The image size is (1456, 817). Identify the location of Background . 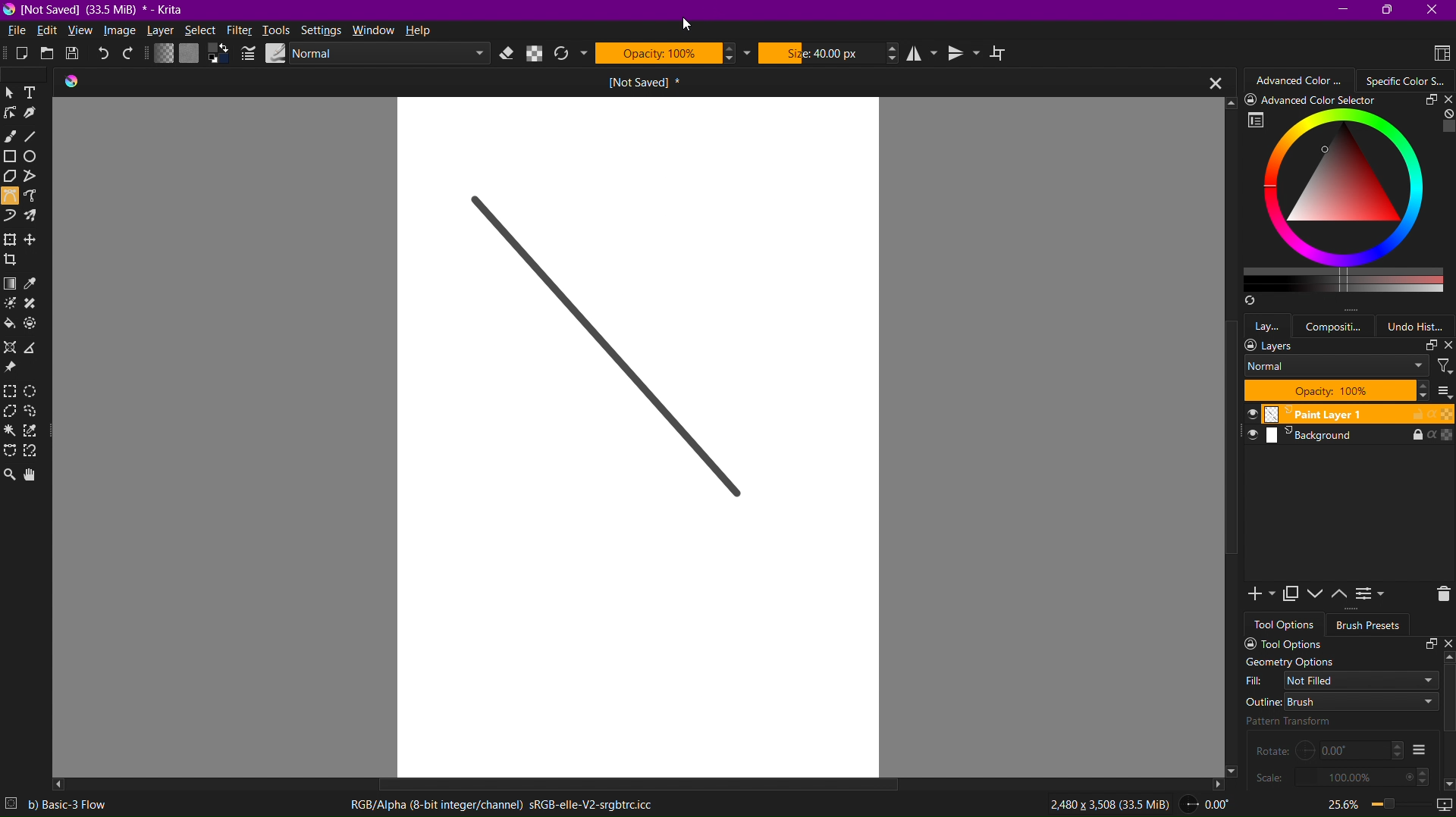
(1343, 438).